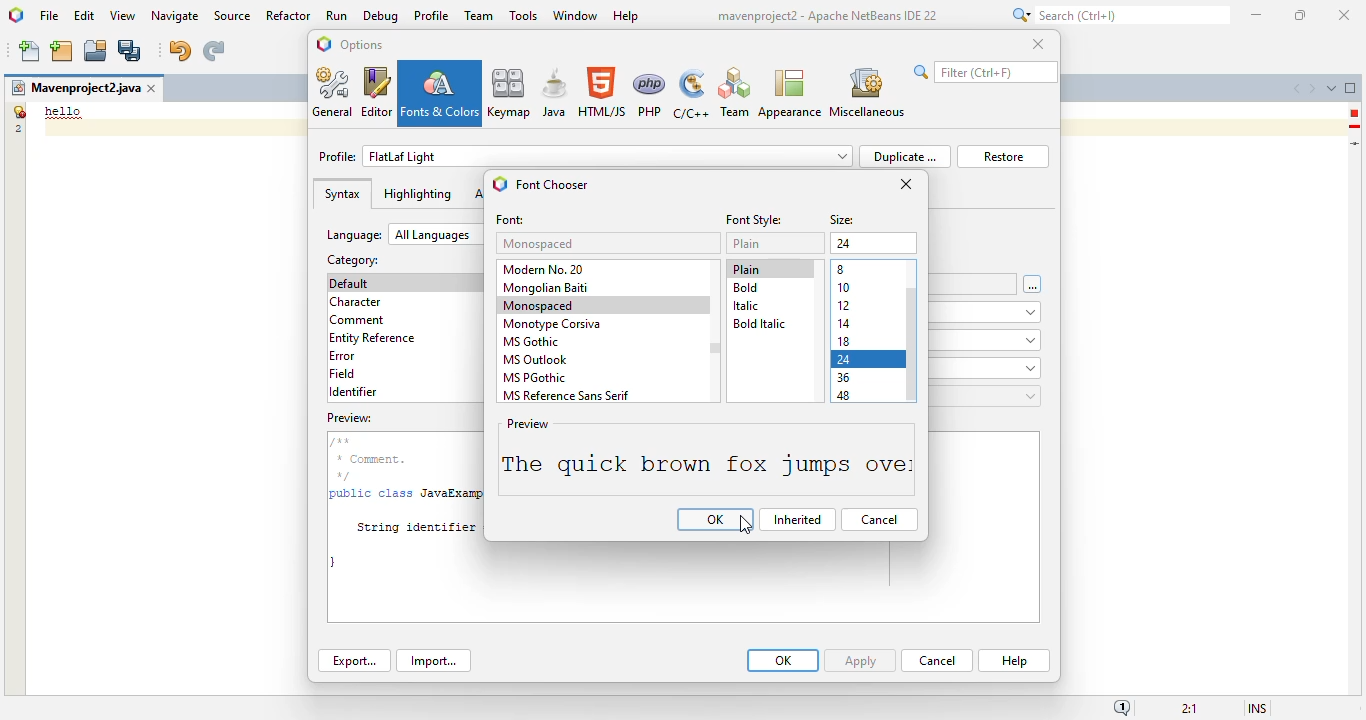 The width and height of the screenshot is (1366, 720). Describe the element at coordinates (753, 220) in the screenshot. I see `font style: ` at that location.